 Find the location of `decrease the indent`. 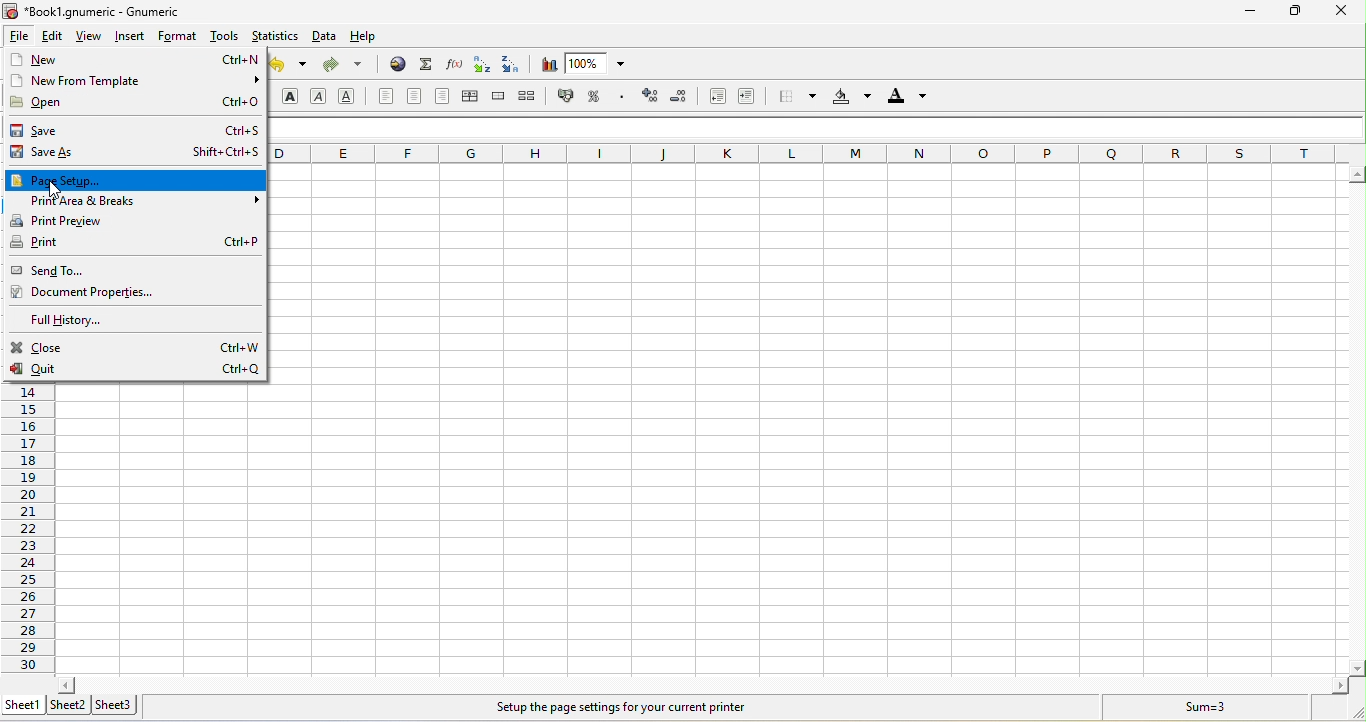

decrease the indent is located at coordinates (713, 97).